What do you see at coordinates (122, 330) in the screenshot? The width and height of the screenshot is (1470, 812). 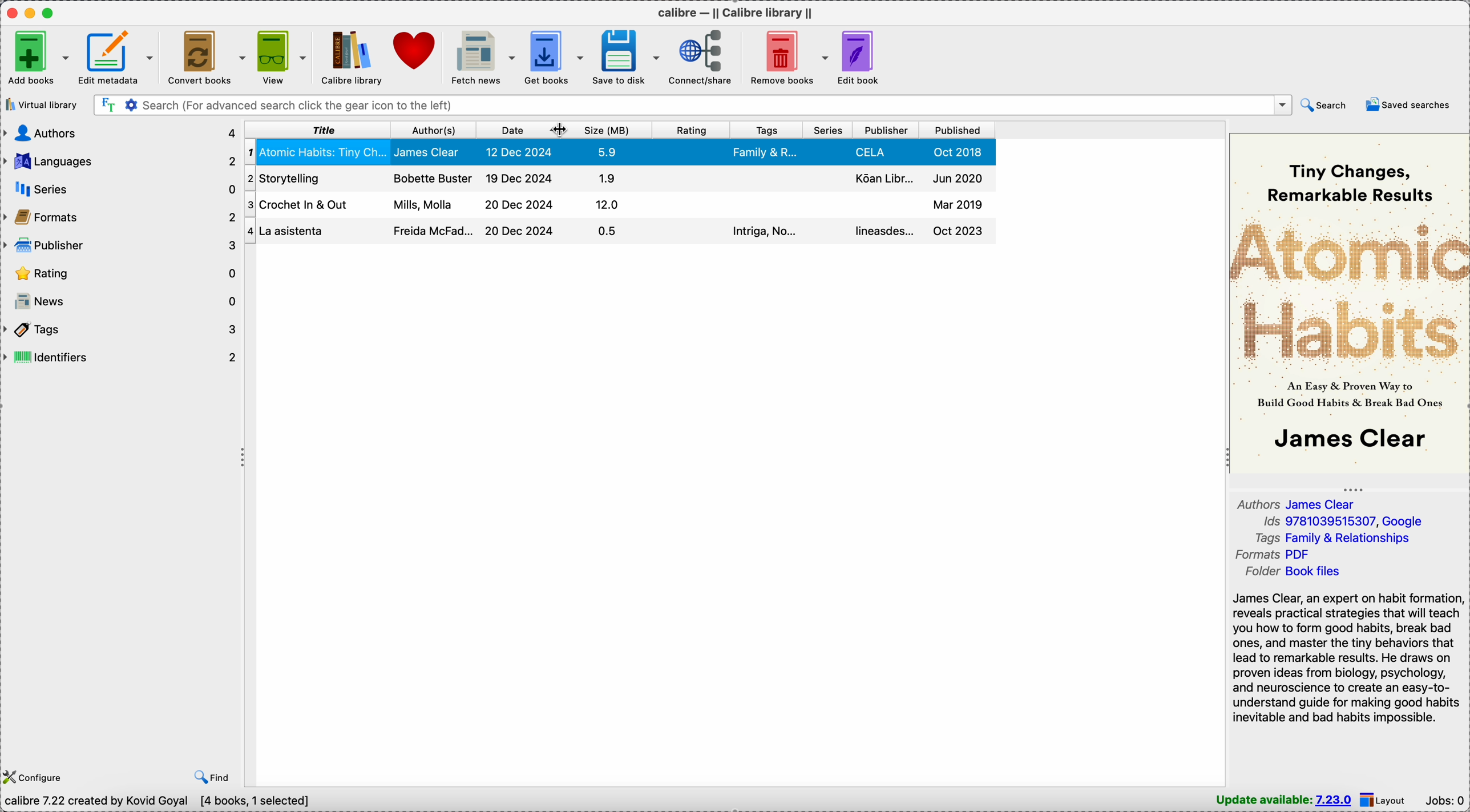 I see `tags` at bounding box center [122, 330].